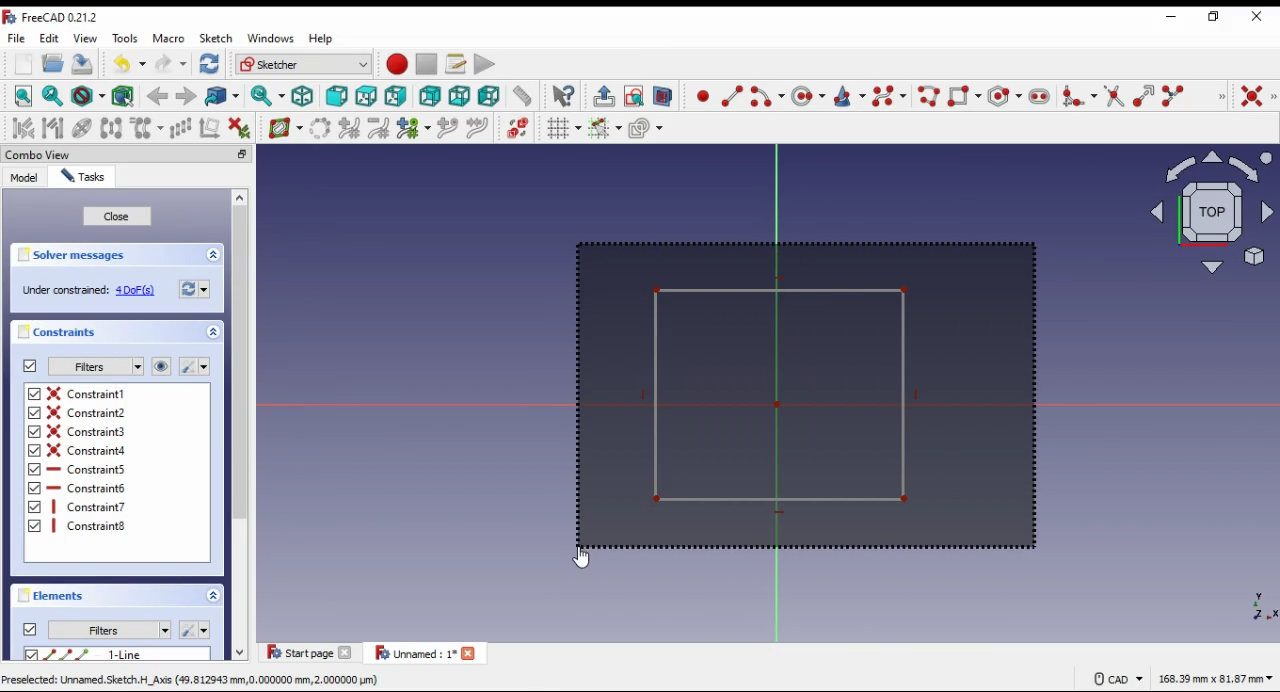 Image resolution: width=1280 pixels, height=692 pixels. I want to click on toggle snap, so click(606, 128).